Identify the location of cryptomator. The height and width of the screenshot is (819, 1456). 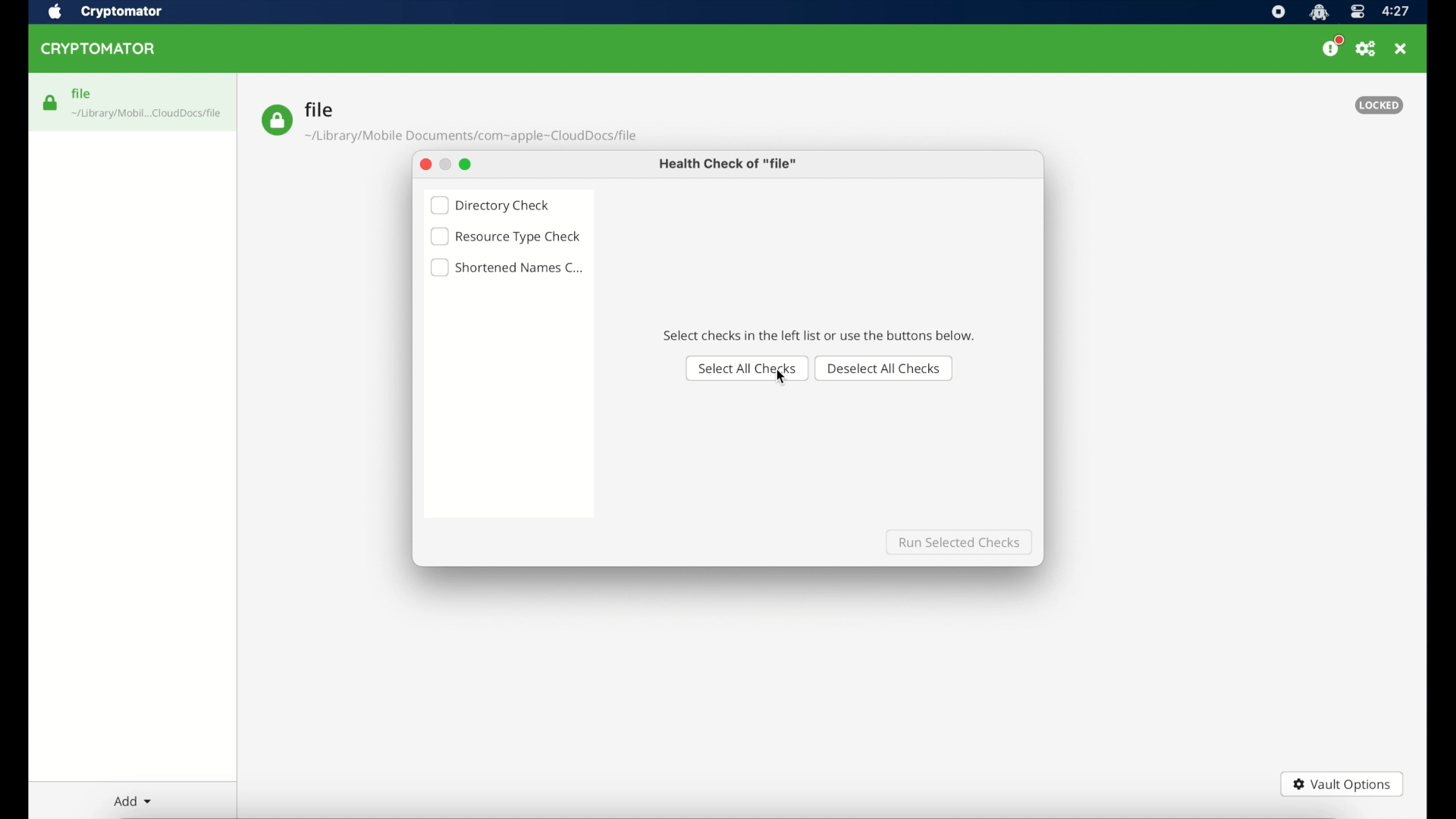
(122, 11).